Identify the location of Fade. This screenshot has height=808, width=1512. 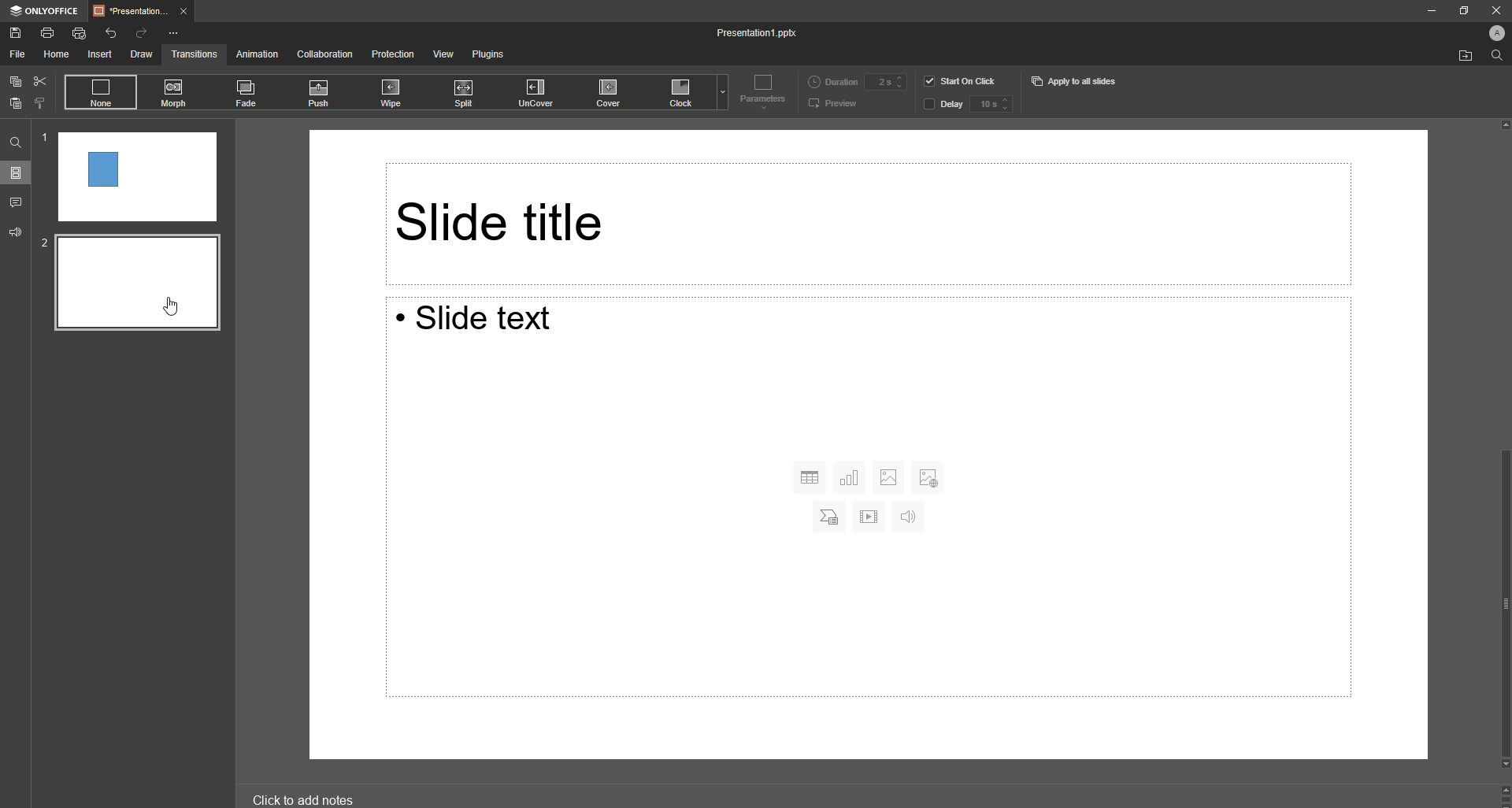
(247, 94).